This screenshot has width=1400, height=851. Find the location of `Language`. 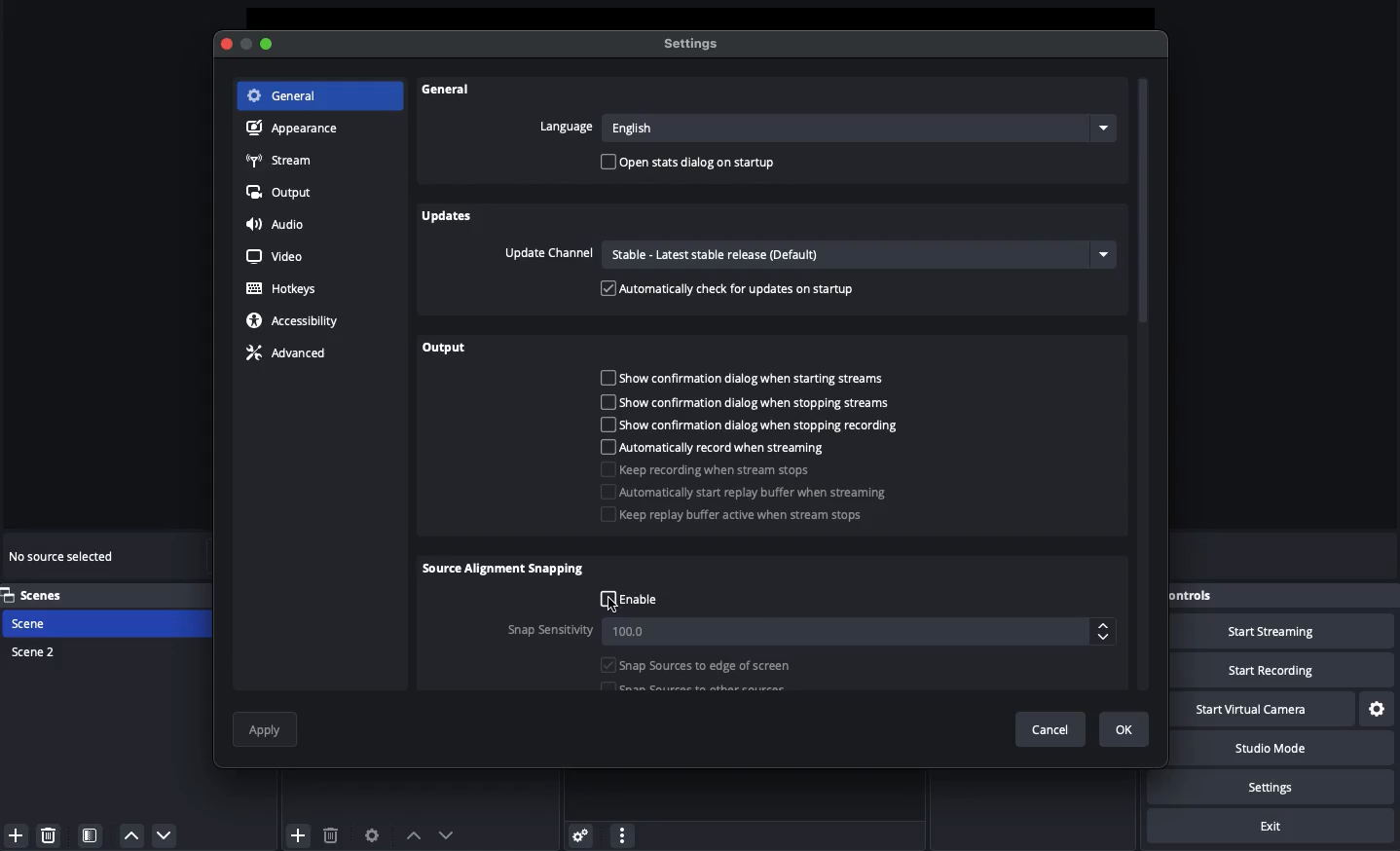

Language is located at coordinates (821, 127).